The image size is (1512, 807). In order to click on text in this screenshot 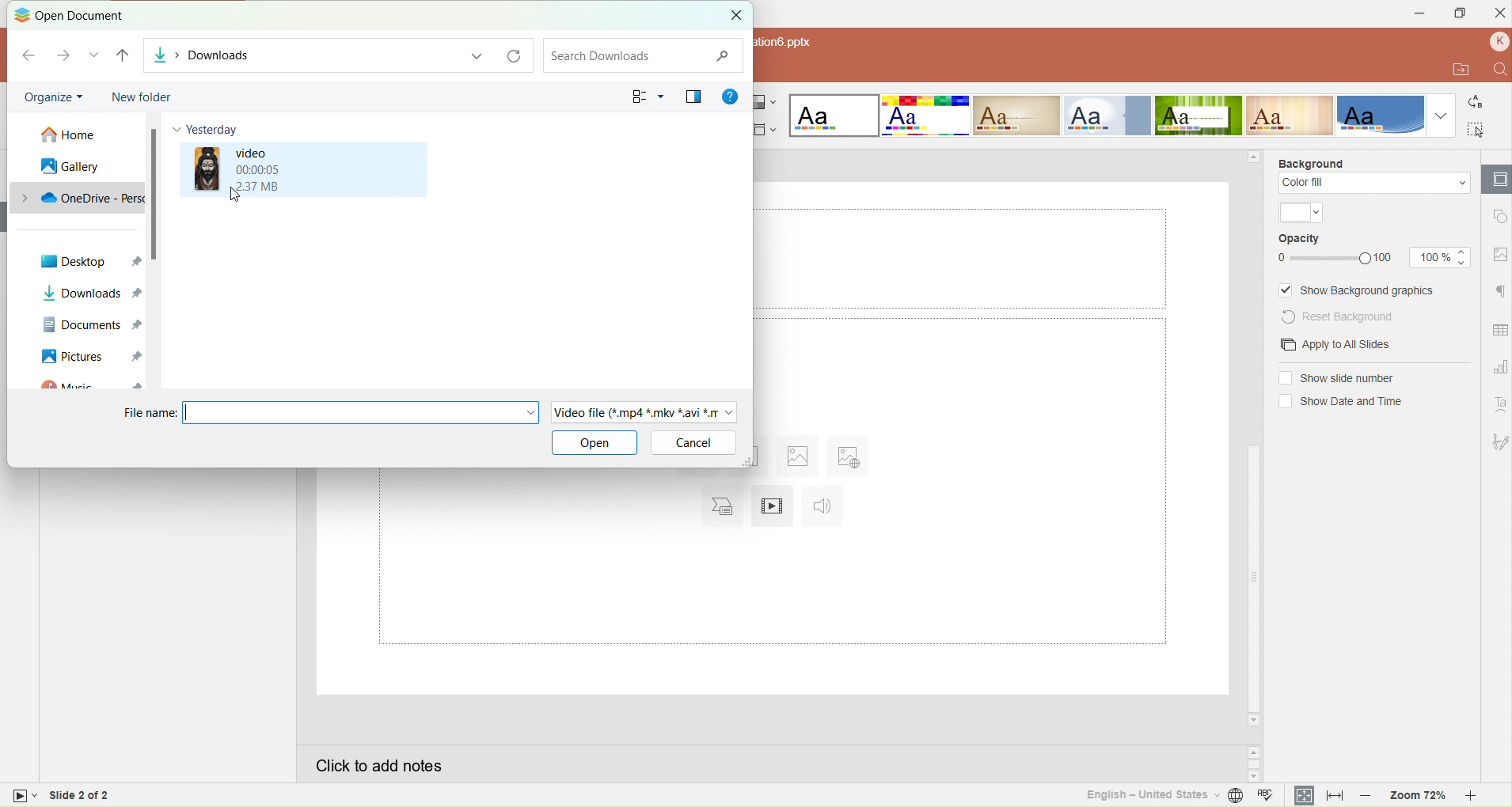, I will do `click(793, 41)`.